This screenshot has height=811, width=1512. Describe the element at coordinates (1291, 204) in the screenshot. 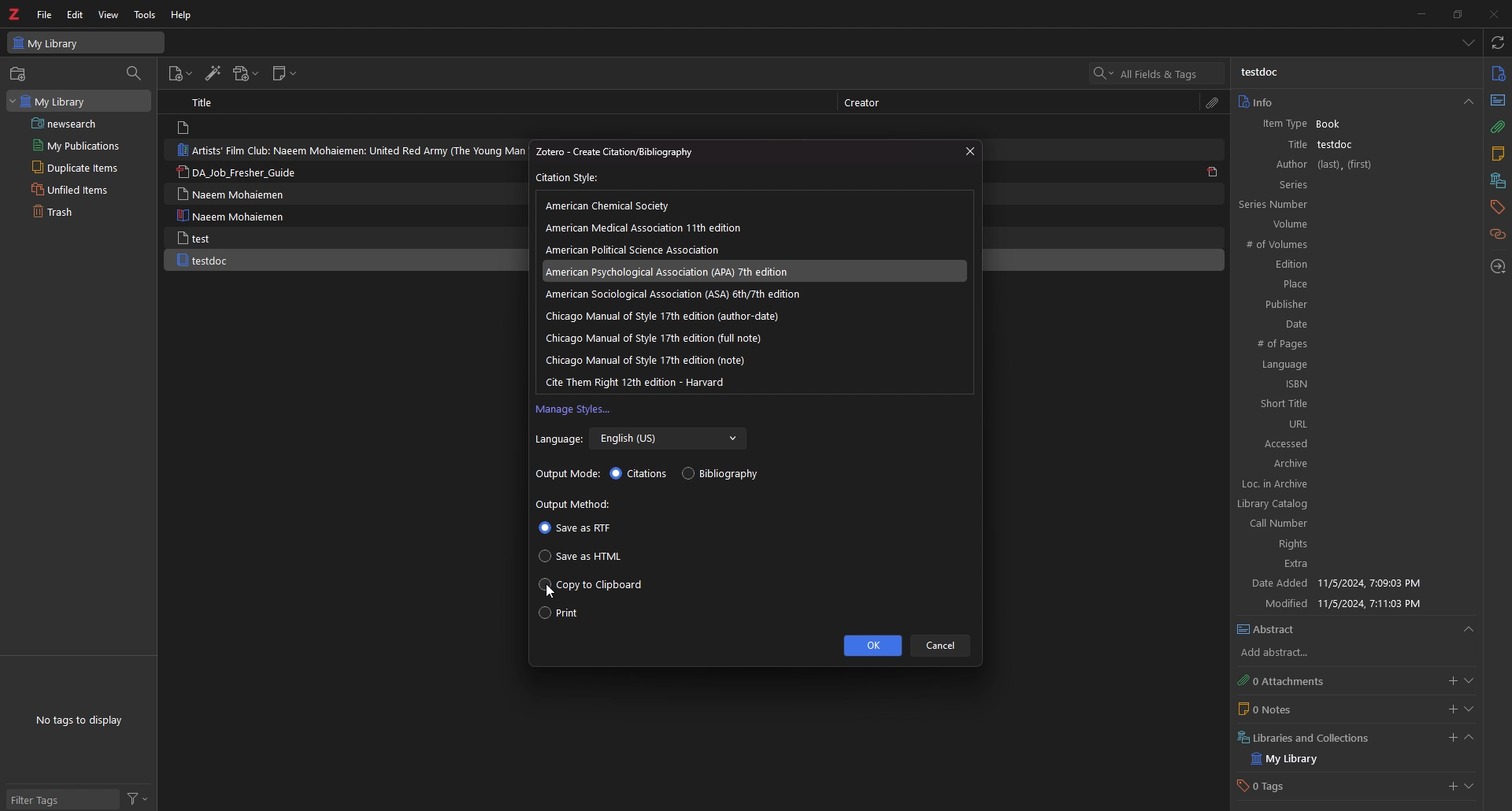

I see `series number` at that location.